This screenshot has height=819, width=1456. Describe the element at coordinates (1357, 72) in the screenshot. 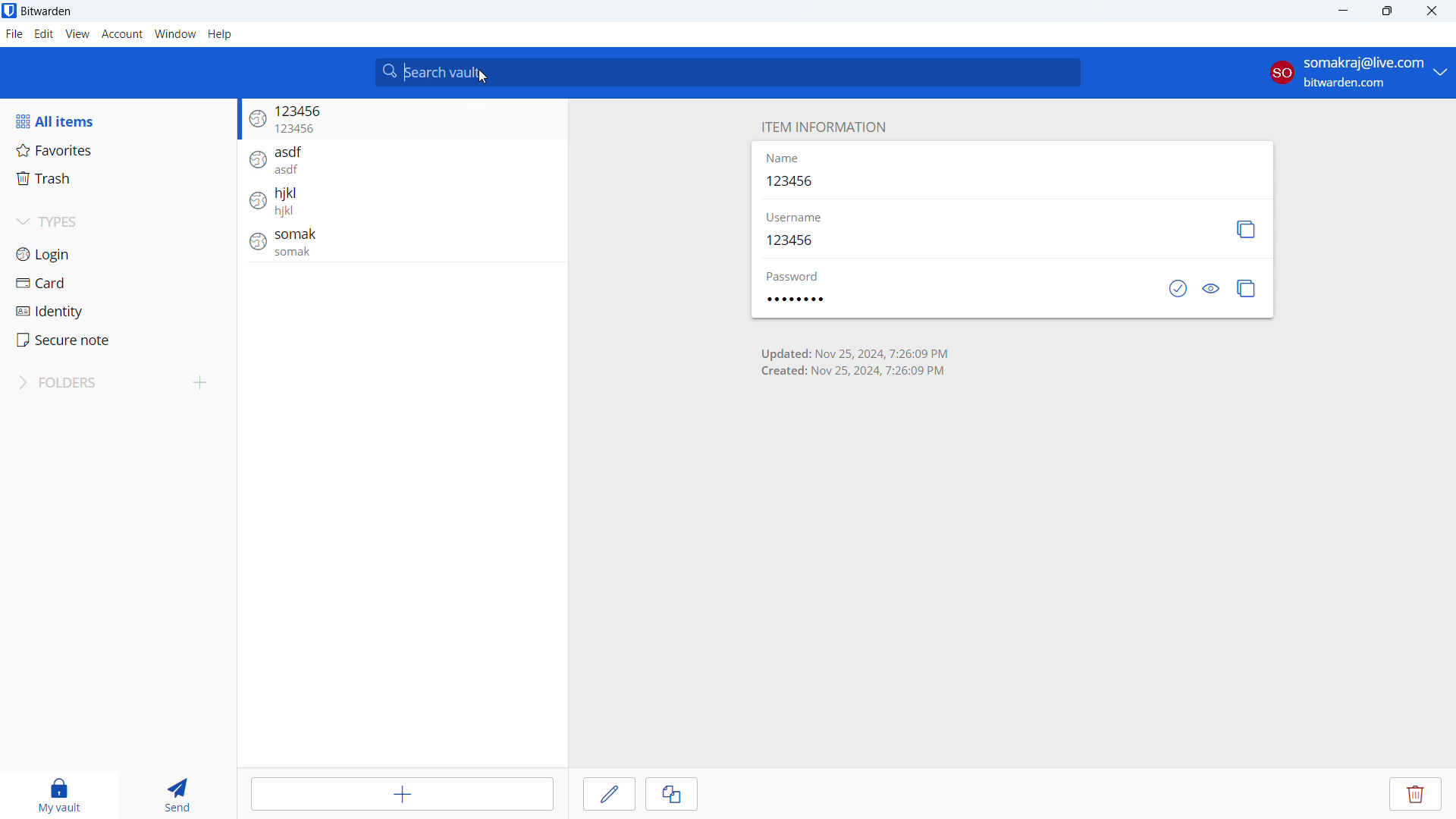

I see `account` at that location.